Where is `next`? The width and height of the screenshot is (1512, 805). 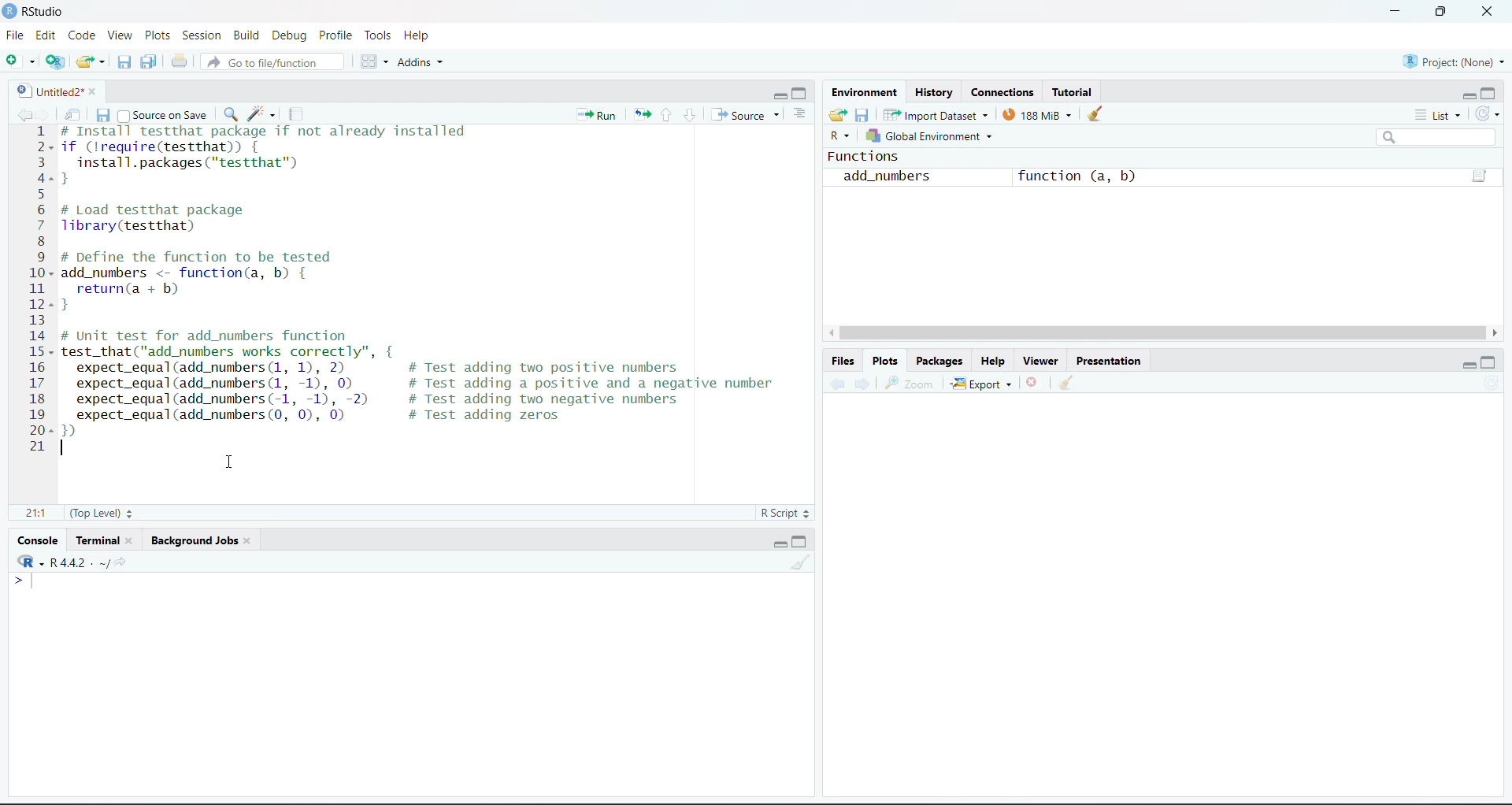
next is located at coordinates (43, 113).